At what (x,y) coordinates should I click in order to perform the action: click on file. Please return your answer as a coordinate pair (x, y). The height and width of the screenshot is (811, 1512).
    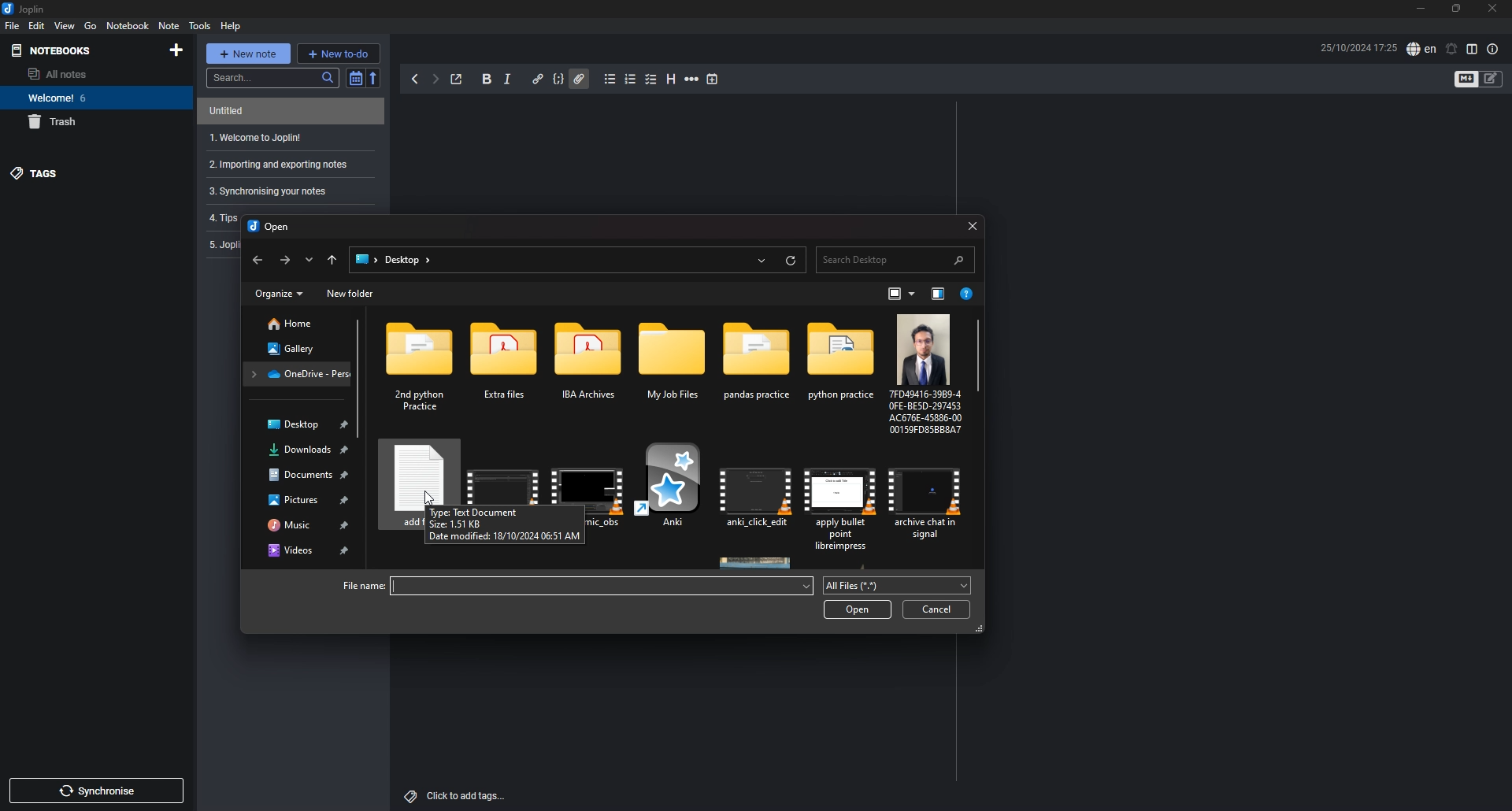
    Looking at the image, I should click on (928, 498).